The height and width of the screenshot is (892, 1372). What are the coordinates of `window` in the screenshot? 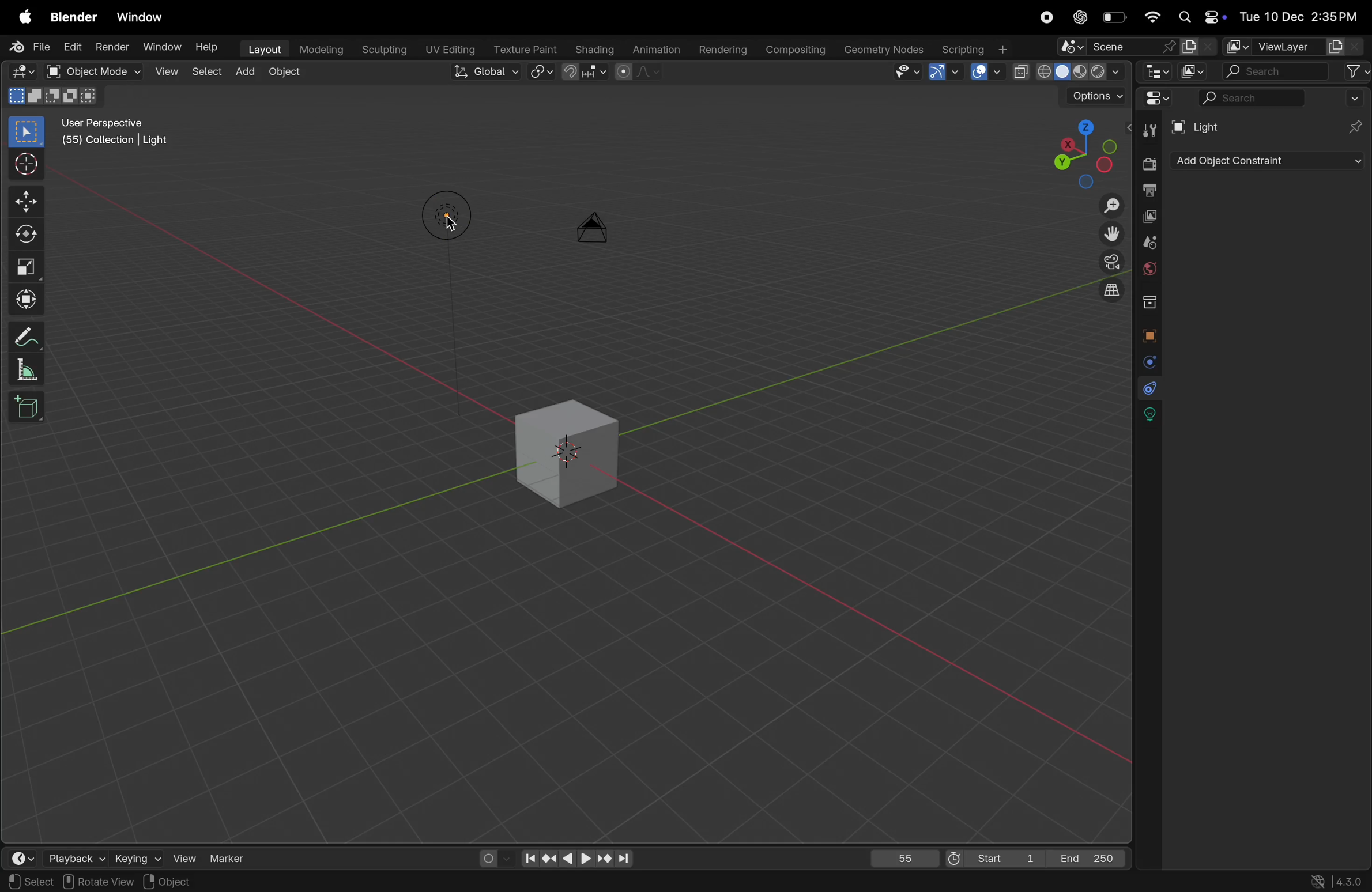 It's located at (142, 17).